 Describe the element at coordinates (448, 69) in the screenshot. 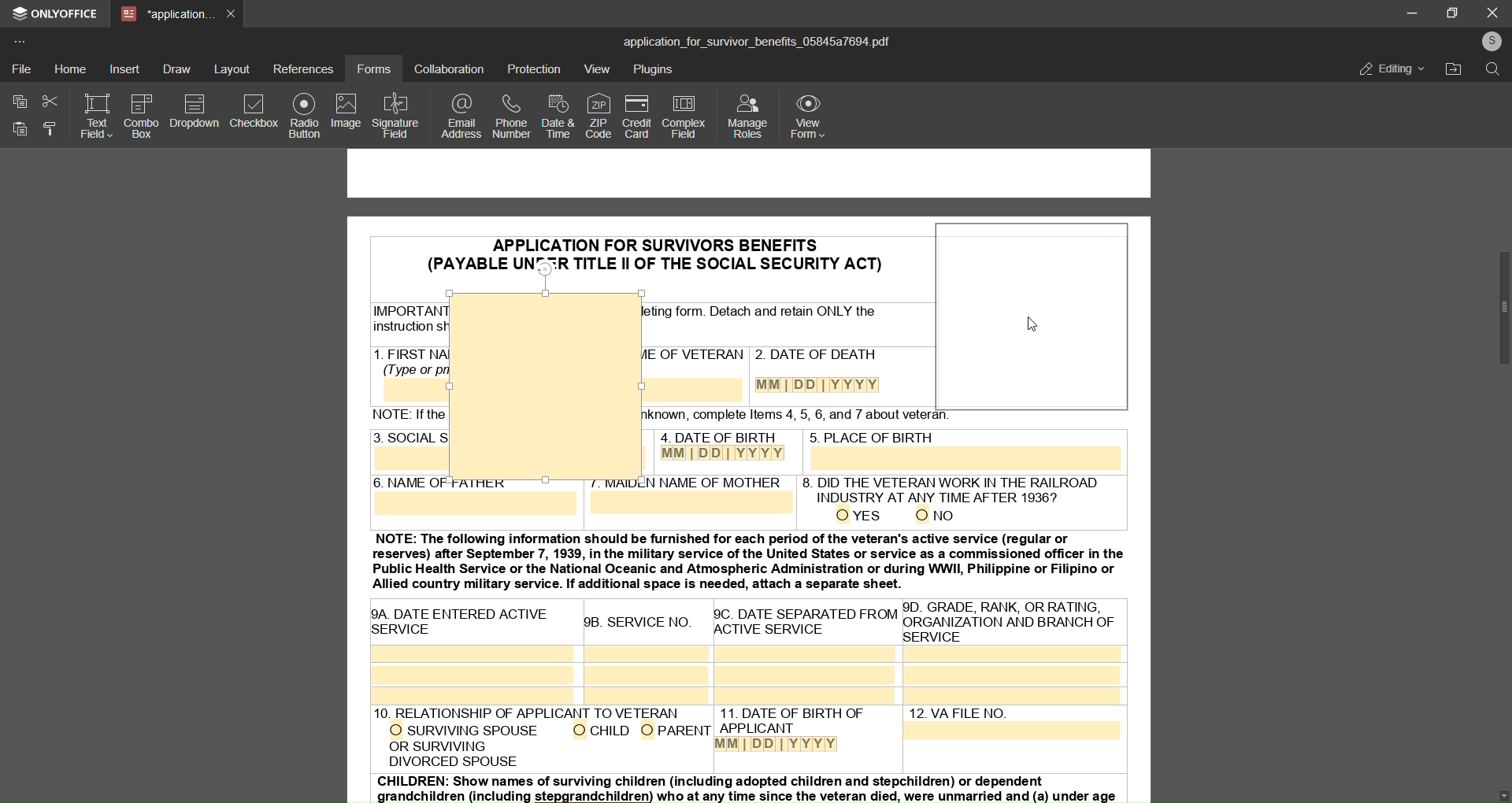

I see `collaboration` at that location.